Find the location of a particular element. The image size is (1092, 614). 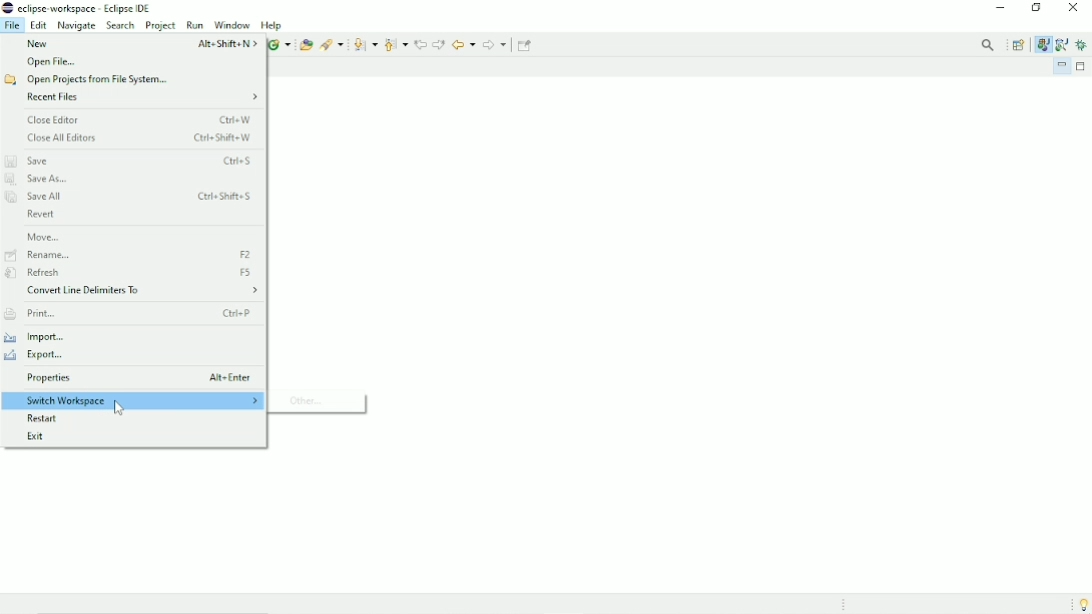

Next edit location is located at coordinates (439, 44).